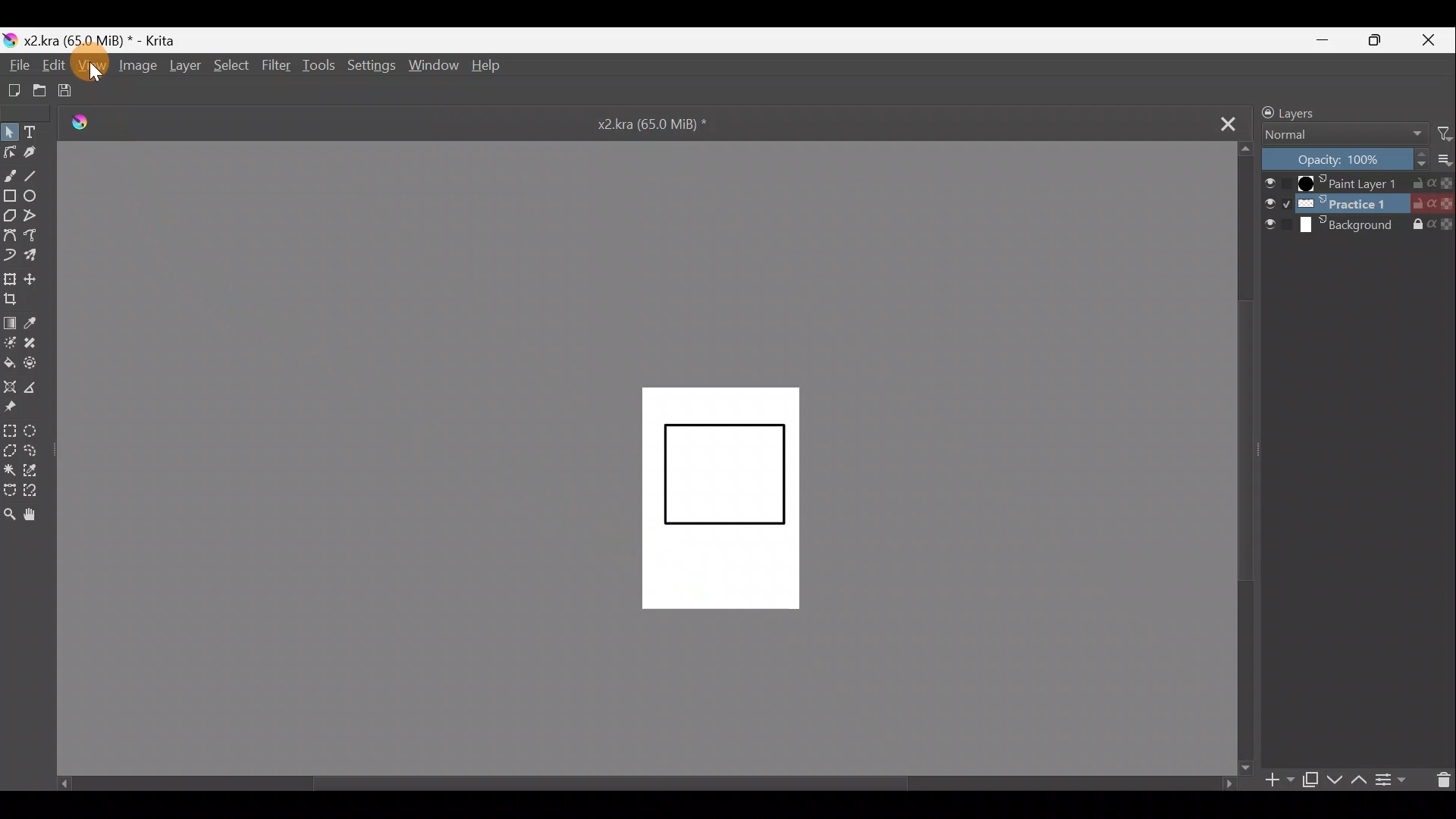  I want to click on x2.kra (65.0 MiB) *, so click(661, 128).